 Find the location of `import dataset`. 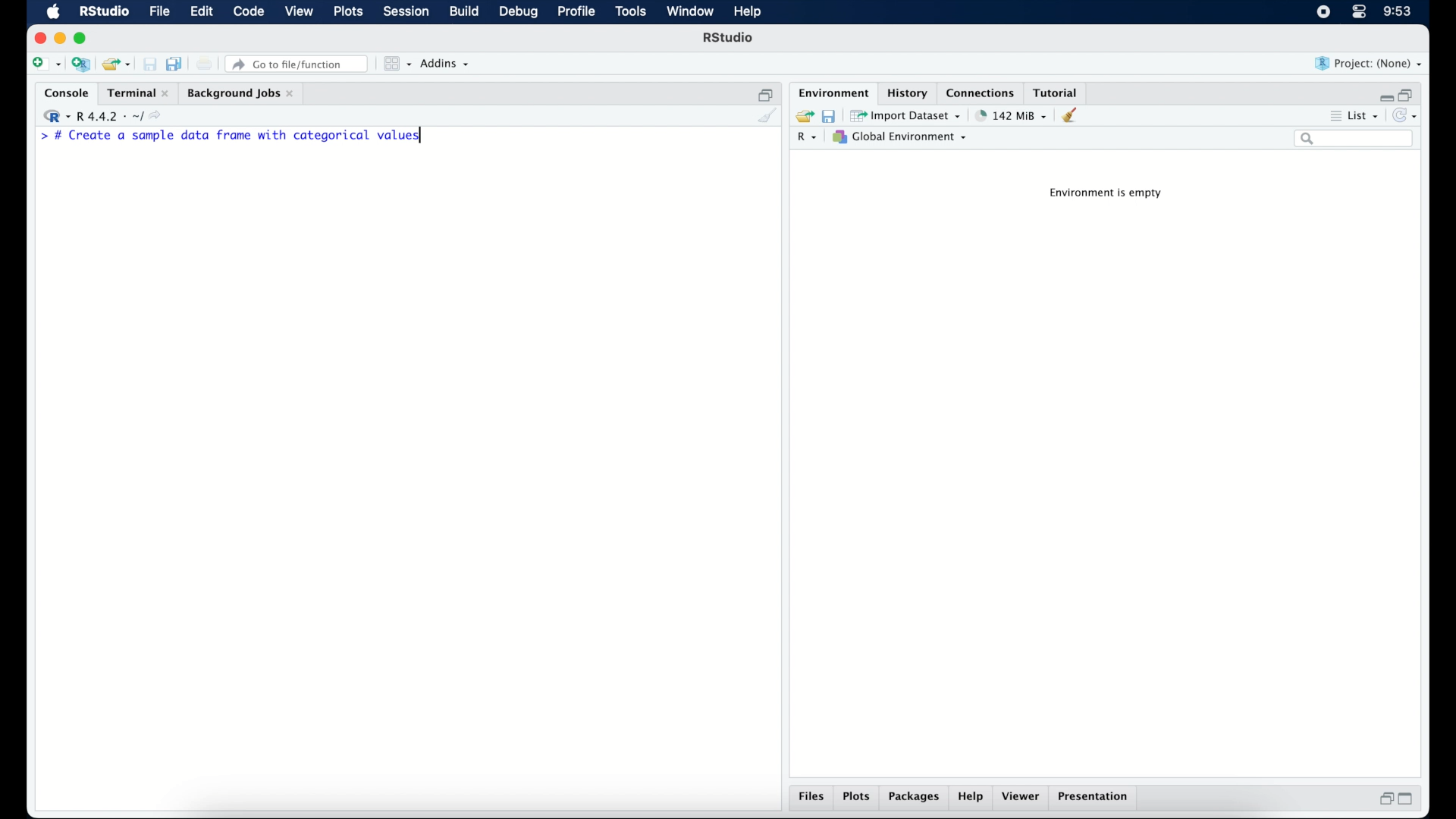

import dataset is located at coordinates (907, 115).